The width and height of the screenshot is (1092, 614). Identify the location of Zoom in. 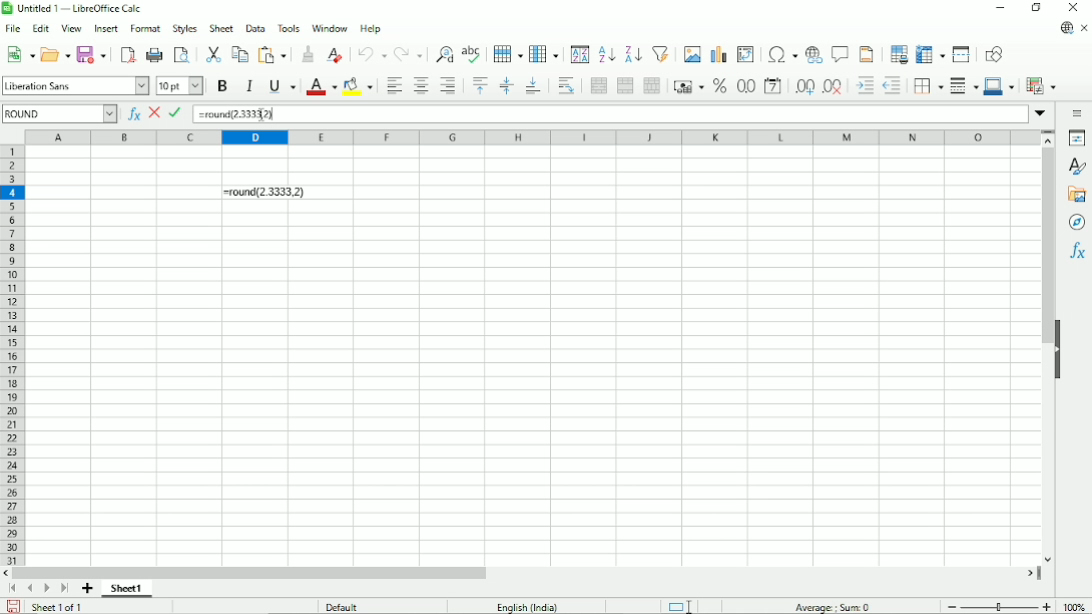
(1046, 606).